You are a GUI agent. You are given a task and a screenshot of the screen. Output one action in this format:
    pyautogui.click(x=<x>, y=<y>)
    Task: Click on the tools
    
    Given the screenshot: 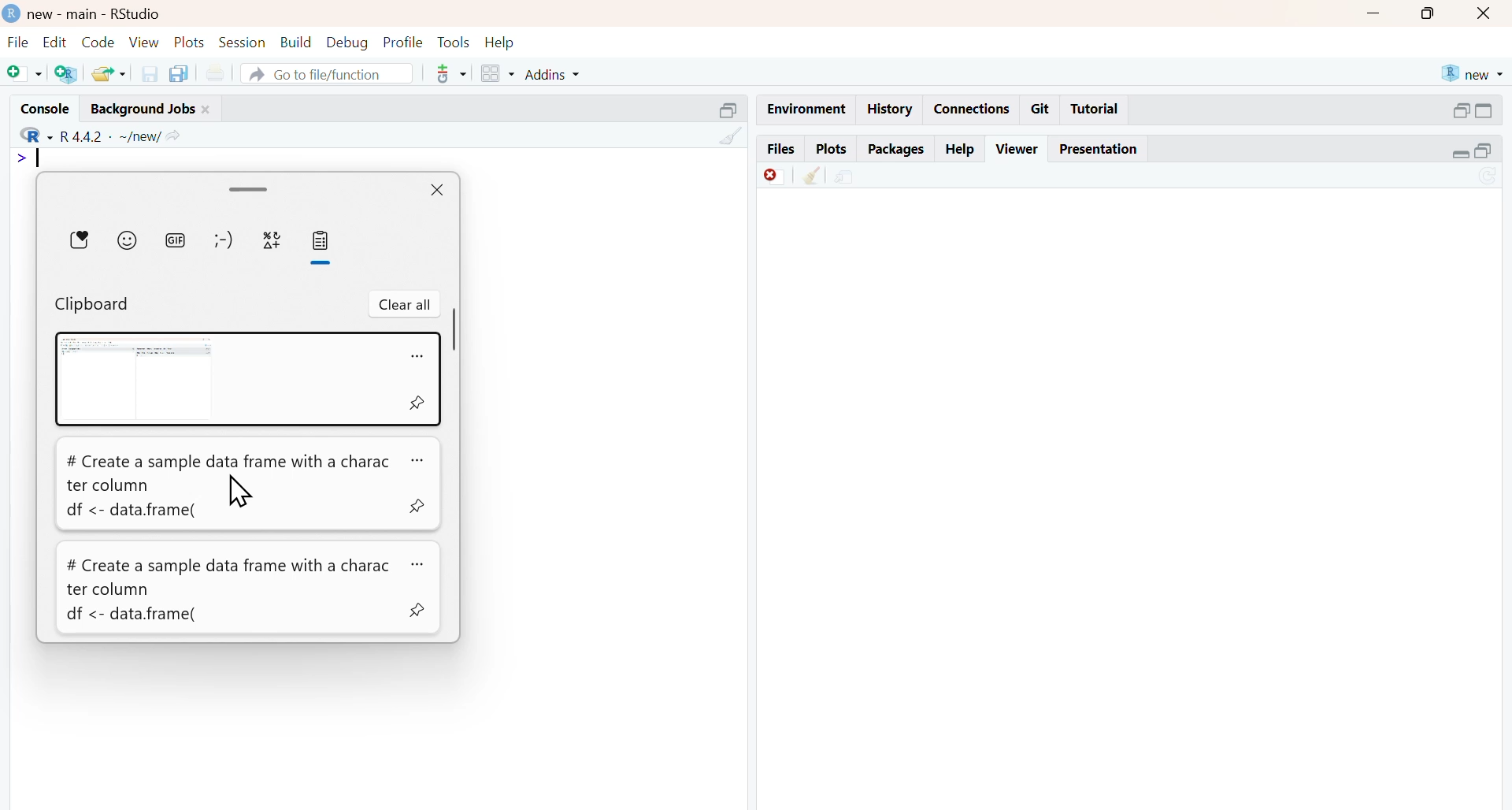 What is the action you would take?
    pyautogui.click(x=457, y=43)
    